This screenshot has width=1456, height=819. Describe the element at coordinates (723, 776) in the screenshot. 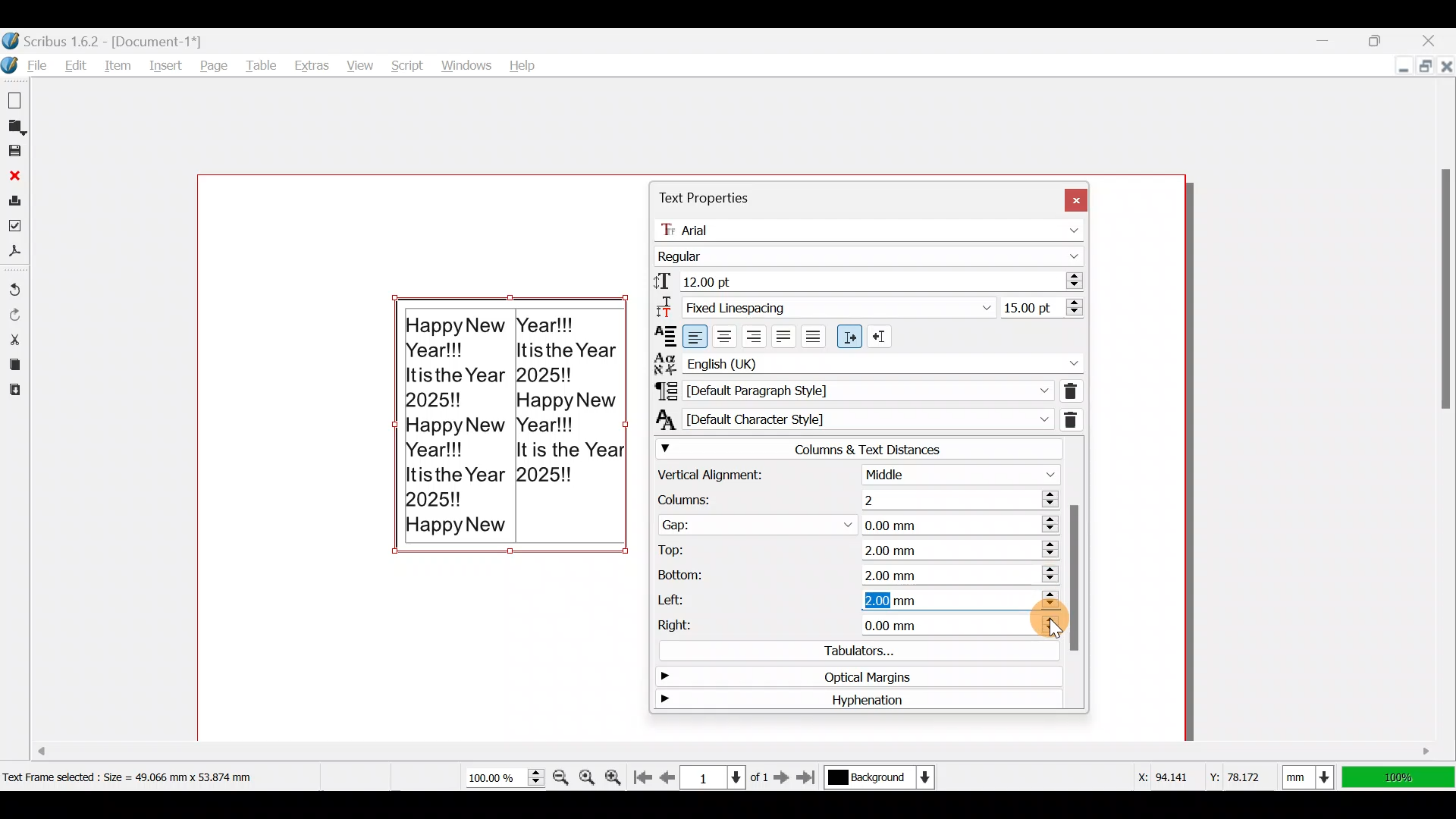

I see `Select current page` at that location.